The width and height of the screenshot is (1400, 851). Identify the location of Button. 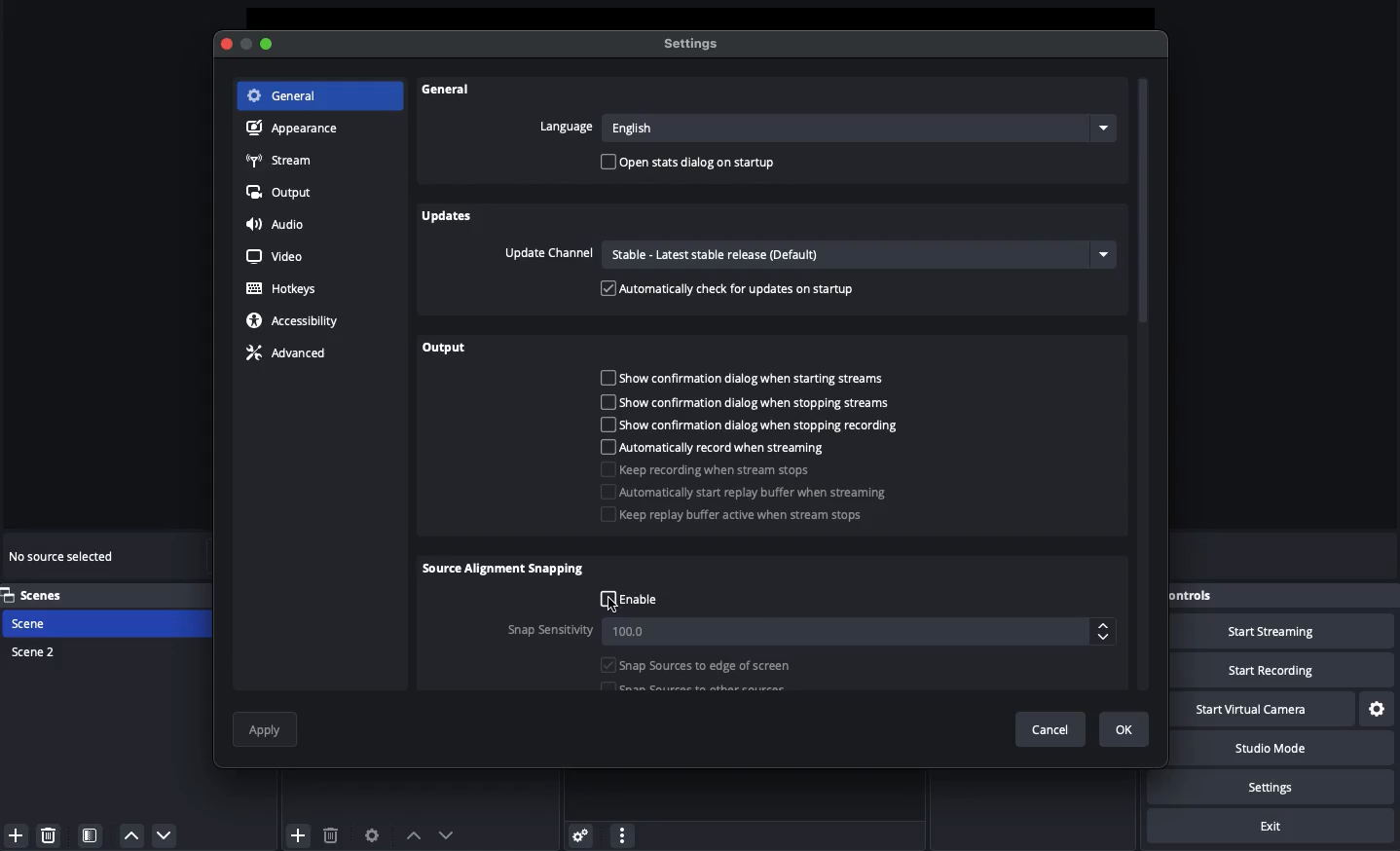
(247, 45).